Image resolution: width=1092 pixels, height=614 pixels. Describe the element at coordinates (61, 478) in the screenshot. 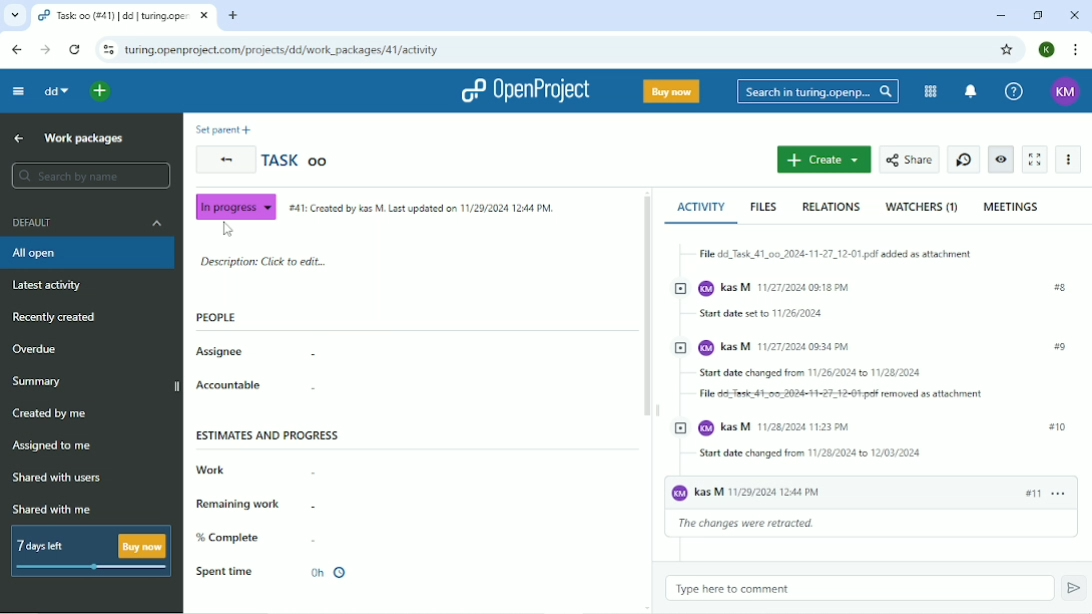

I see `Shared with users` at that location.